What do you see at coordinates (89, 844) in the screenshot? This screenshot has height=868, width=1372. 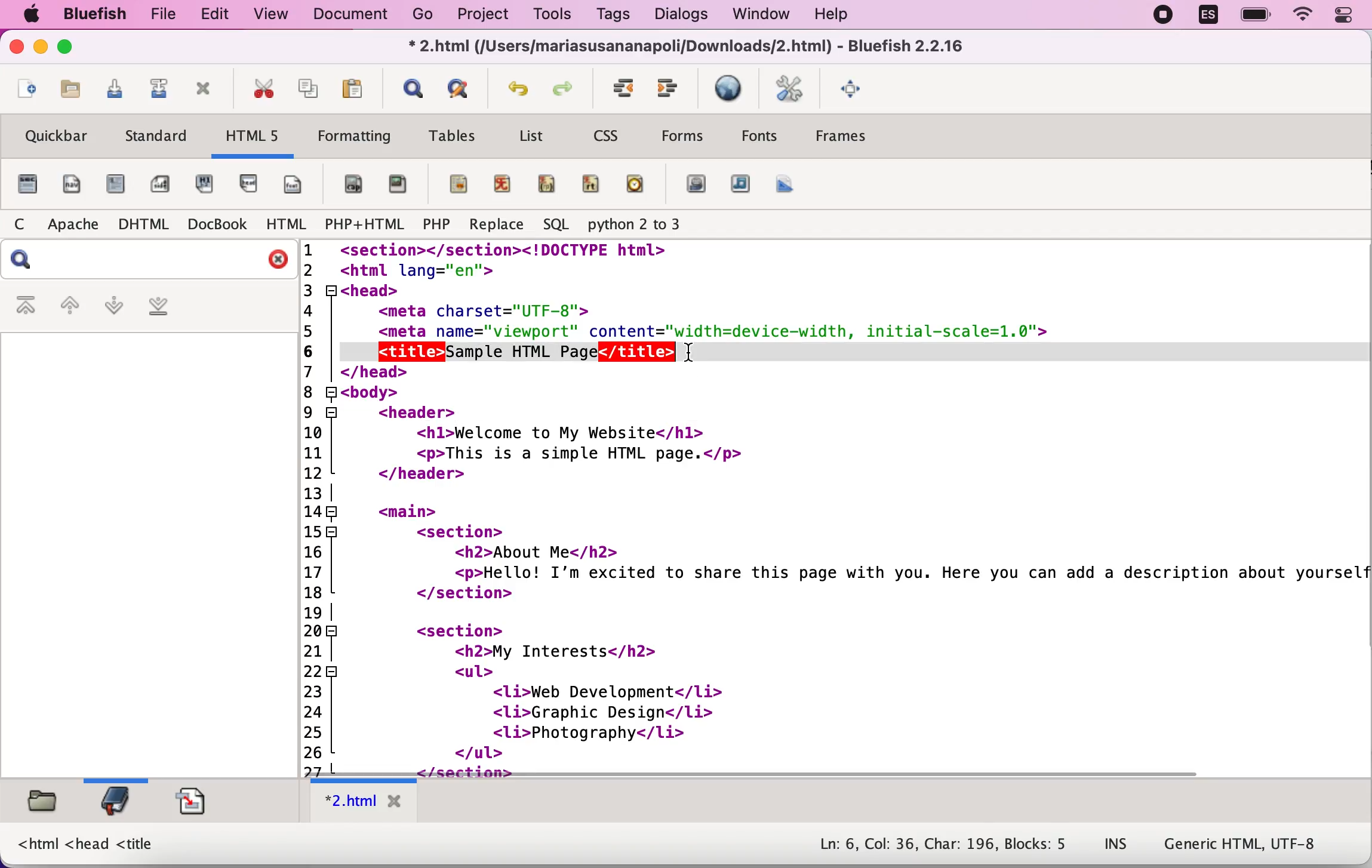 I see `<html <head <title` at bounding box center [89, 844].